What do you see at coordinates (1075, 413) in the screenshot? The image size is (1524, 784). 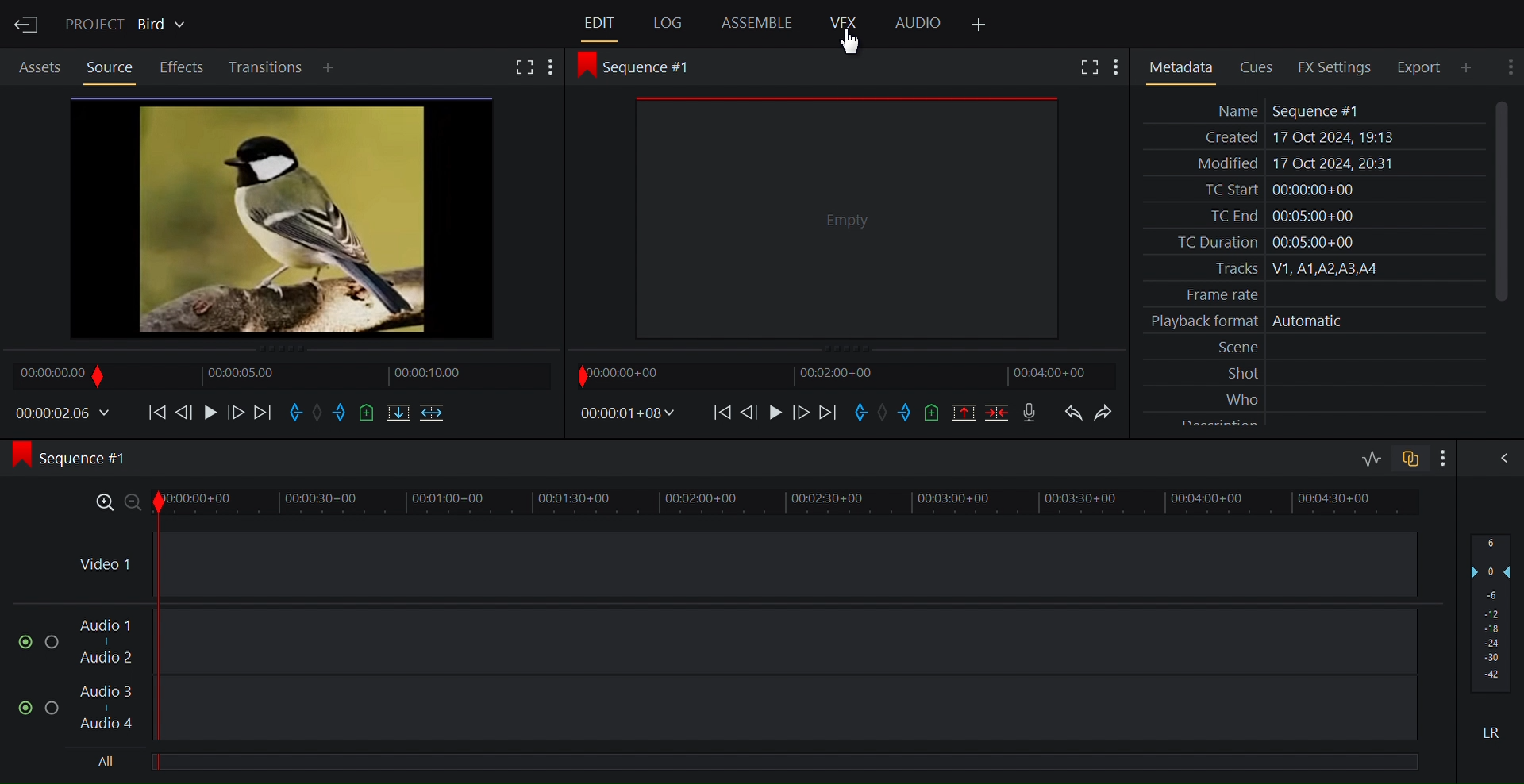 I see `Undo` at bounding box center [1075, 413].